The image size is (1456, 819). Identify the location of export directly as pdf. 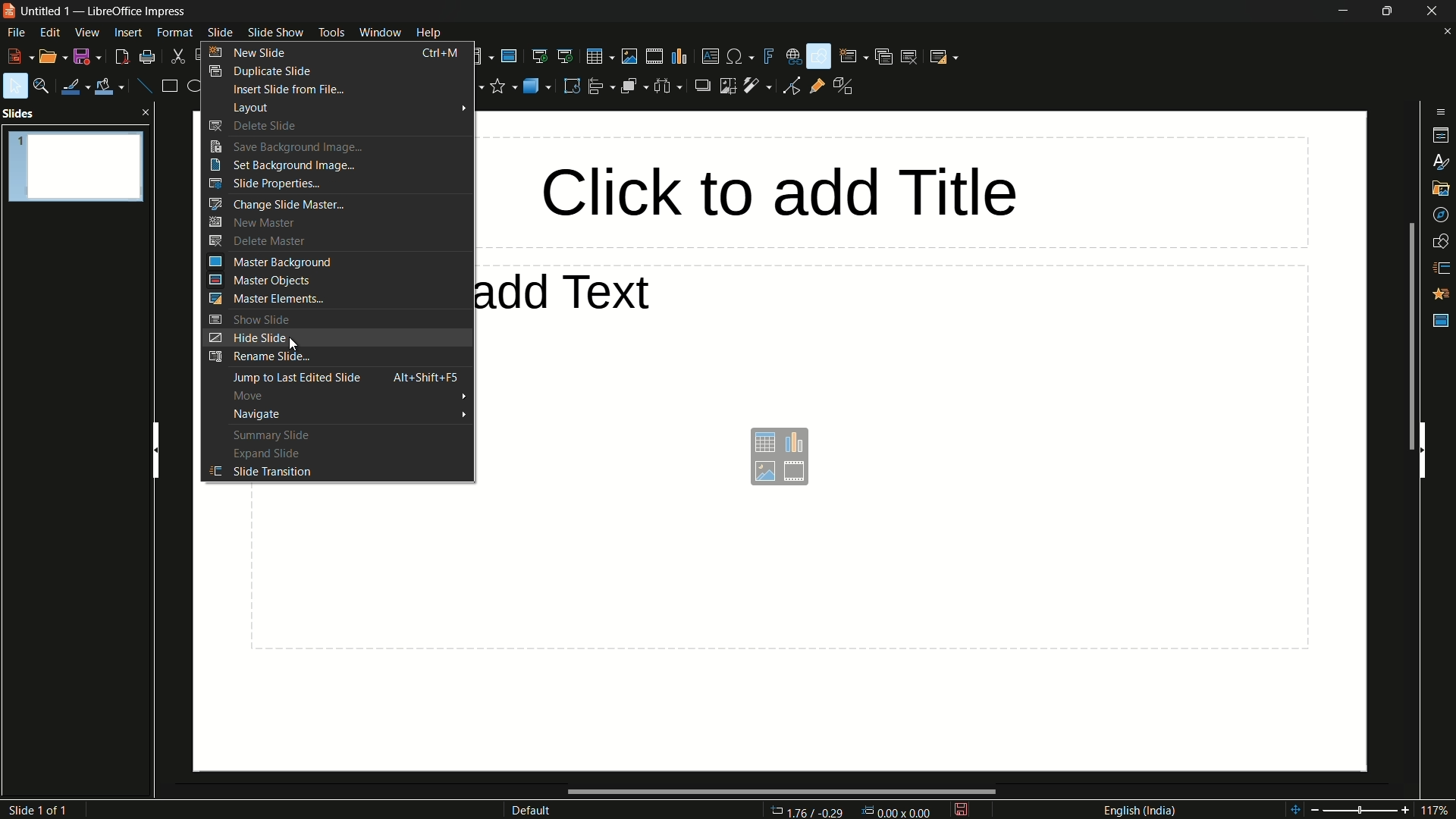
(119, 58).